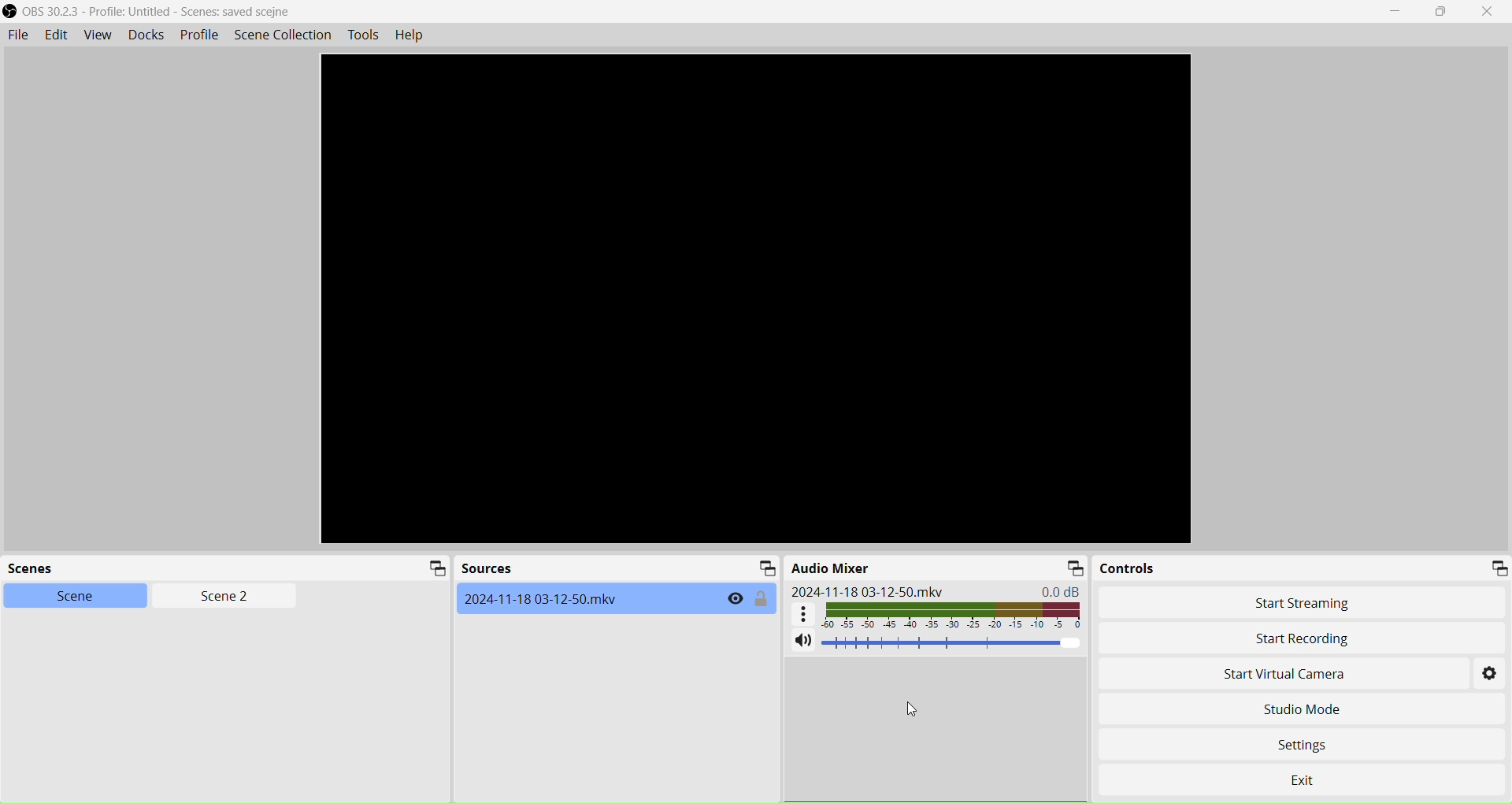  Describe the element at coordinates (802, 642) in the screenshot. I see `Mute/Unmute` at that location.